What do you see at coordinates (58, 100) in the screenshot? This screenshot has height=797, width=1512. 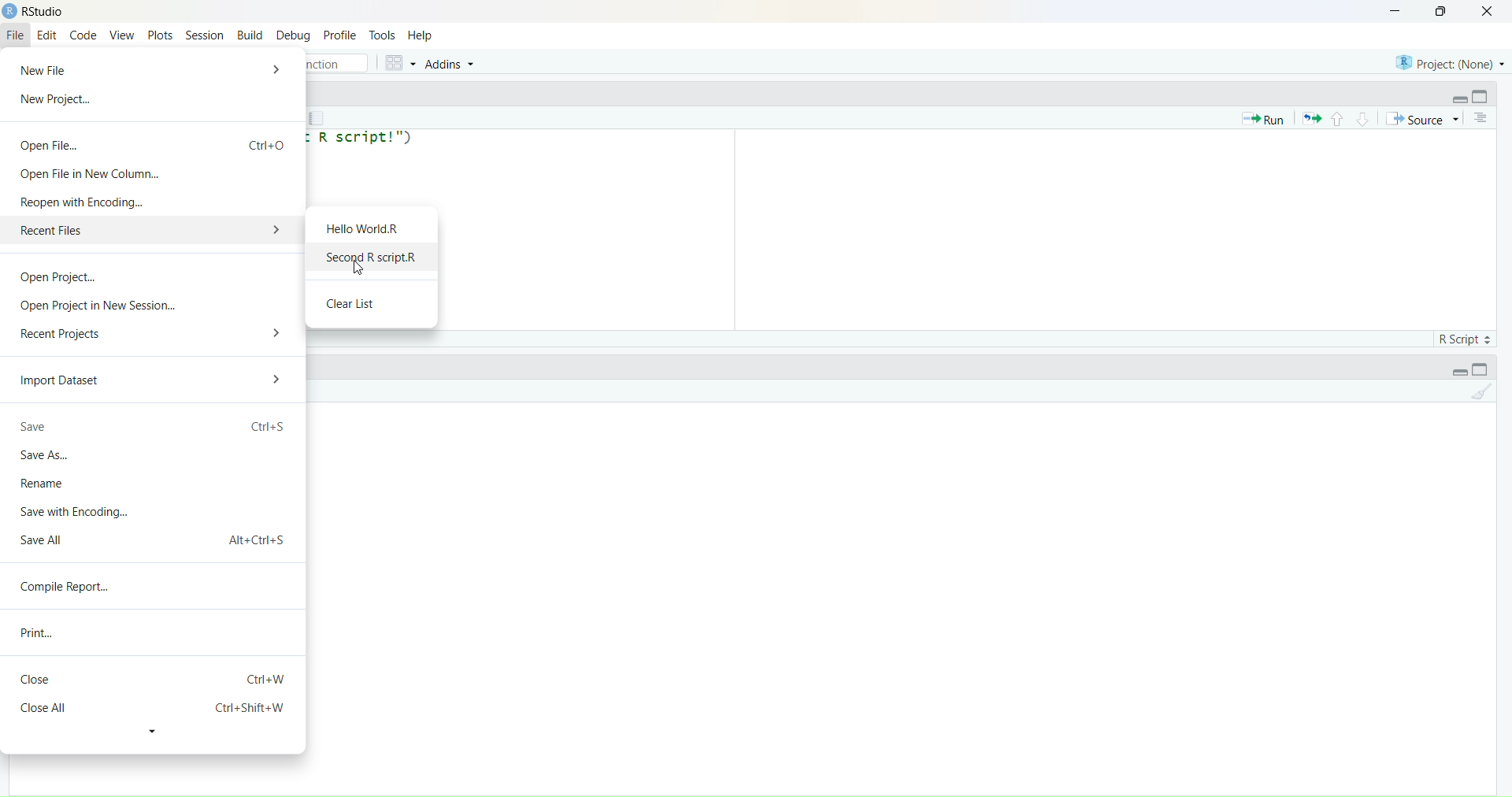 I see `New Project...` at bounding box center [58, 100].